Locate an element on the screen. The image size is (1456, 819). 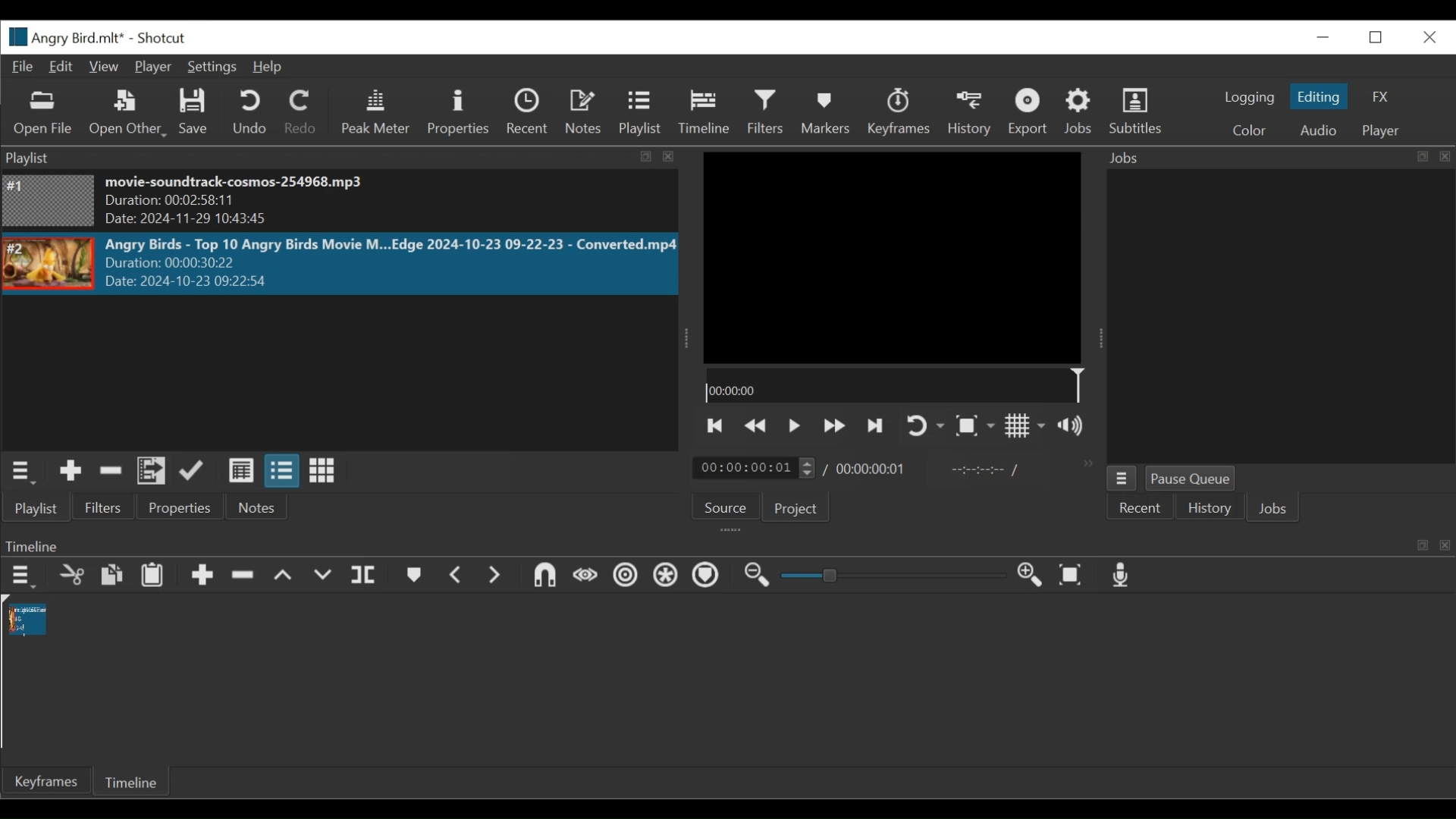
Save is located at coordinates (196, 113).